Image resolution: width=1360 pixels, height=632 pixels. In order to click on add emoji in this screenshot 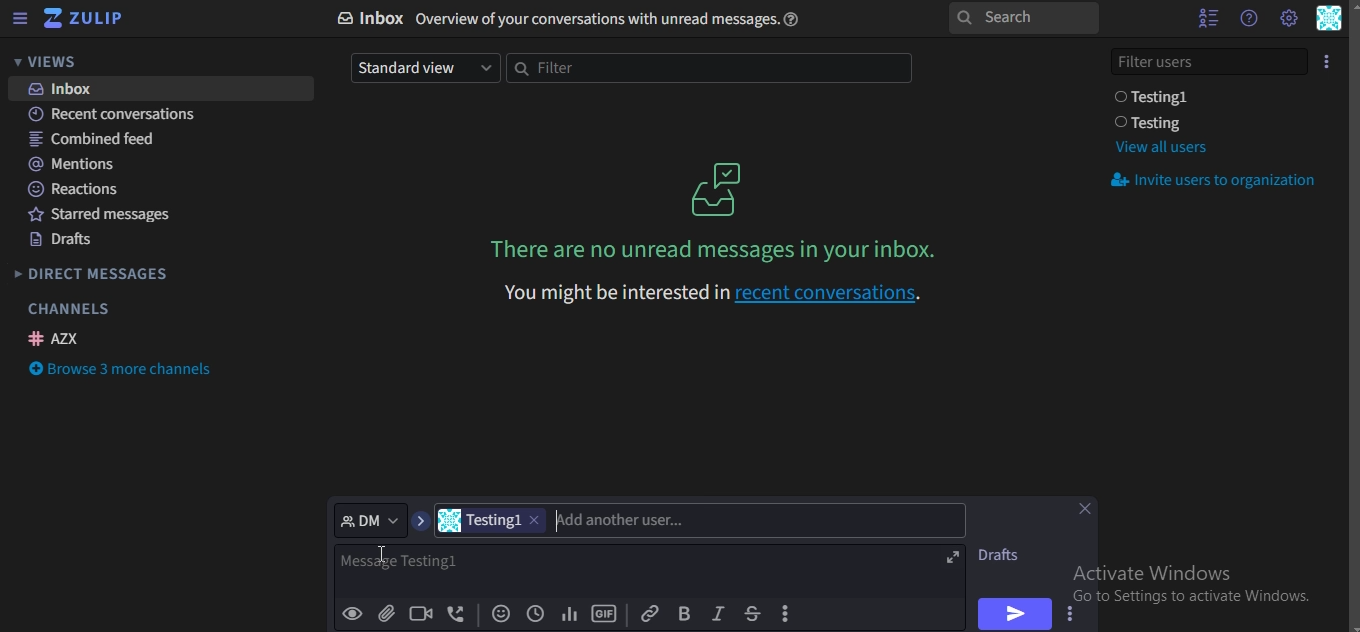, I will do `click(502, 615)`.